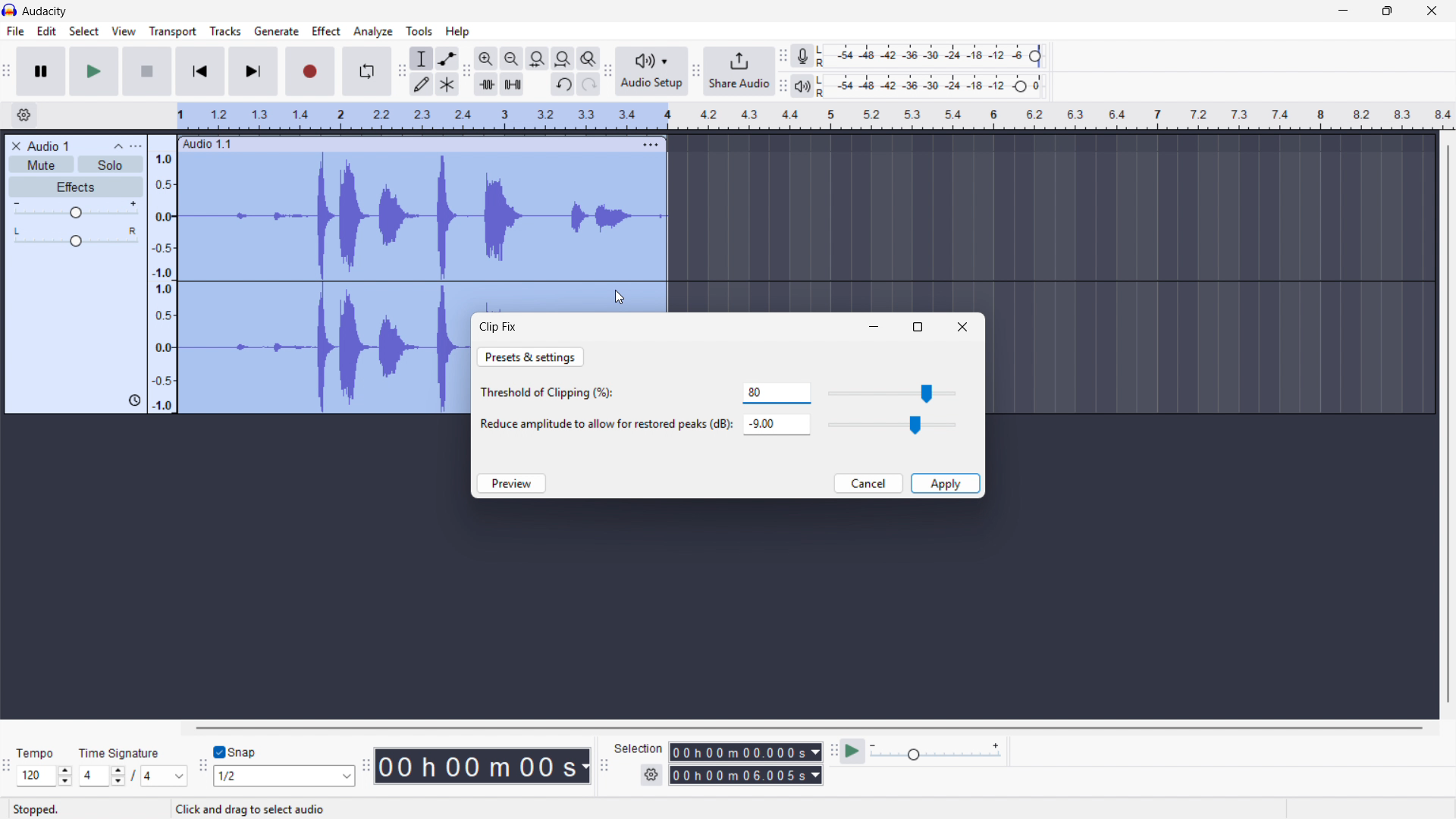 The width and height of the screenshot is (1456, 819). What do you see at coordinates (962, 327) in the screenshot?
I see `Close ` at bounding box center [962, 327].